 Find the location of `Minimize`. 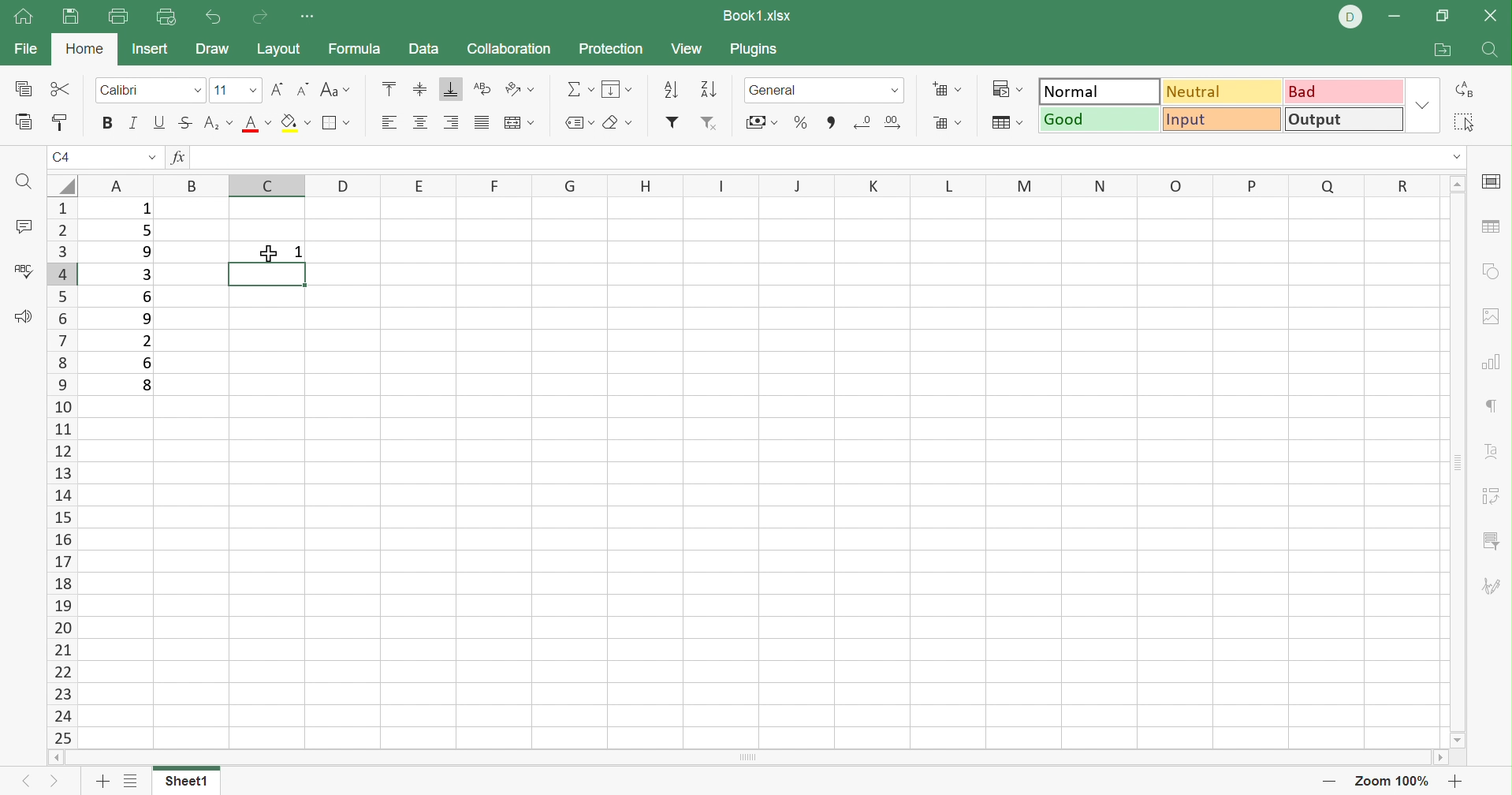

Minimize is located at coordinates (1397, 17).